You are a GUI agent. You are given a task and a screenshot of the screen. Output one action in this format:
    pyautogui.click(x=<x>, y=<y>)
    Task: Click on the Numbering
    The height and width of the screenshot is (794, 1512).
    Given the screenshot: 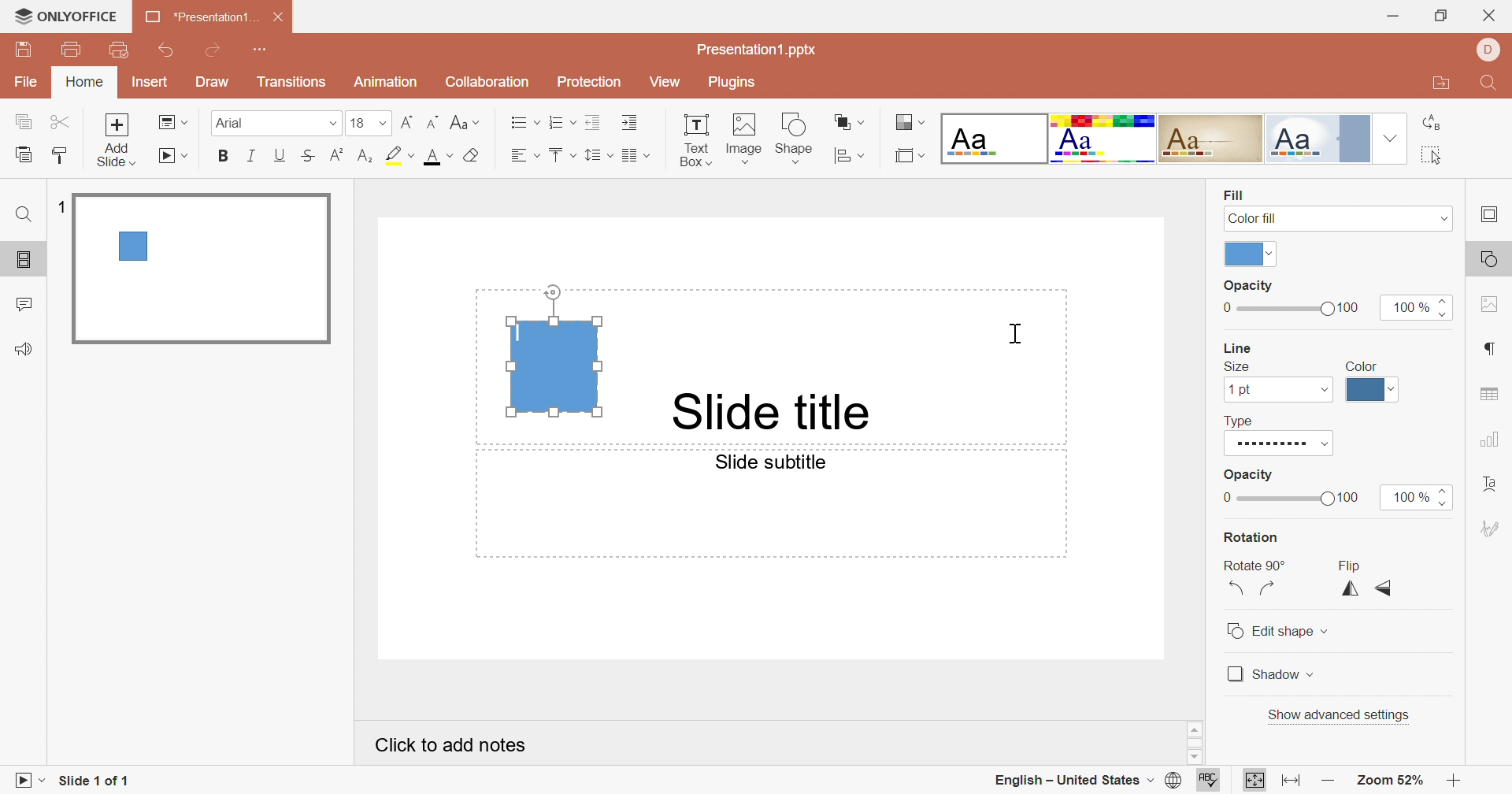 What is the action you would take?
    pyautogui.click(x=565, y=125)
    